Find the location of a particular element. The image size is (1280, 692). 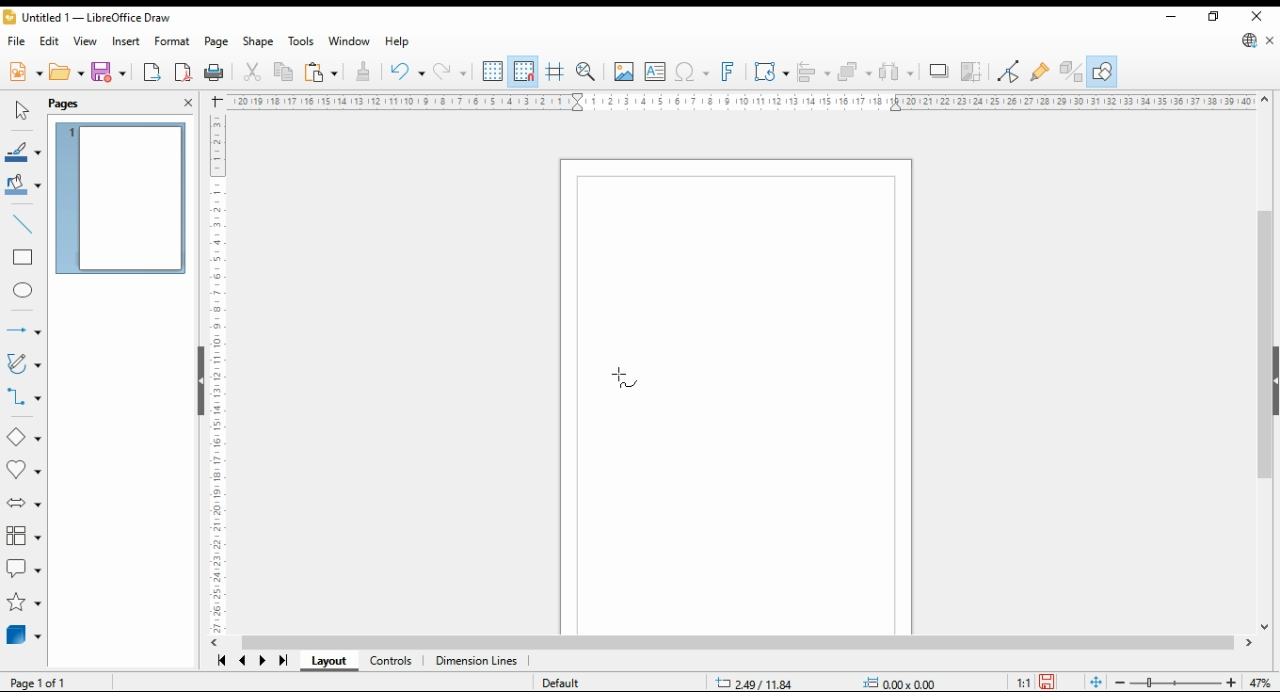

symbol shapes is located at coordinates (23, 471).